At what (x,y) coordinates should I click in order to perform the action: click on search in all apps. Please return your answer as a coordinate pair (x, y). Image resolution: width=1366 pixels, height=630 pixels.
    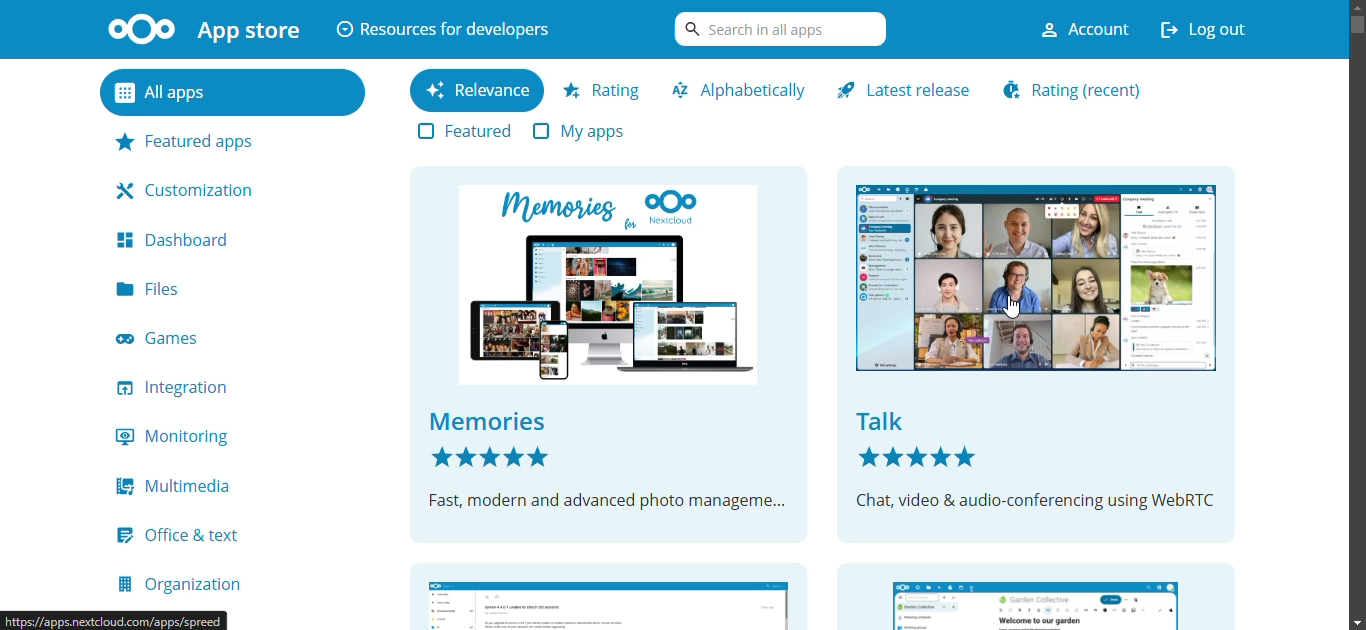
    Looking at the image, I should click on (775, 28).